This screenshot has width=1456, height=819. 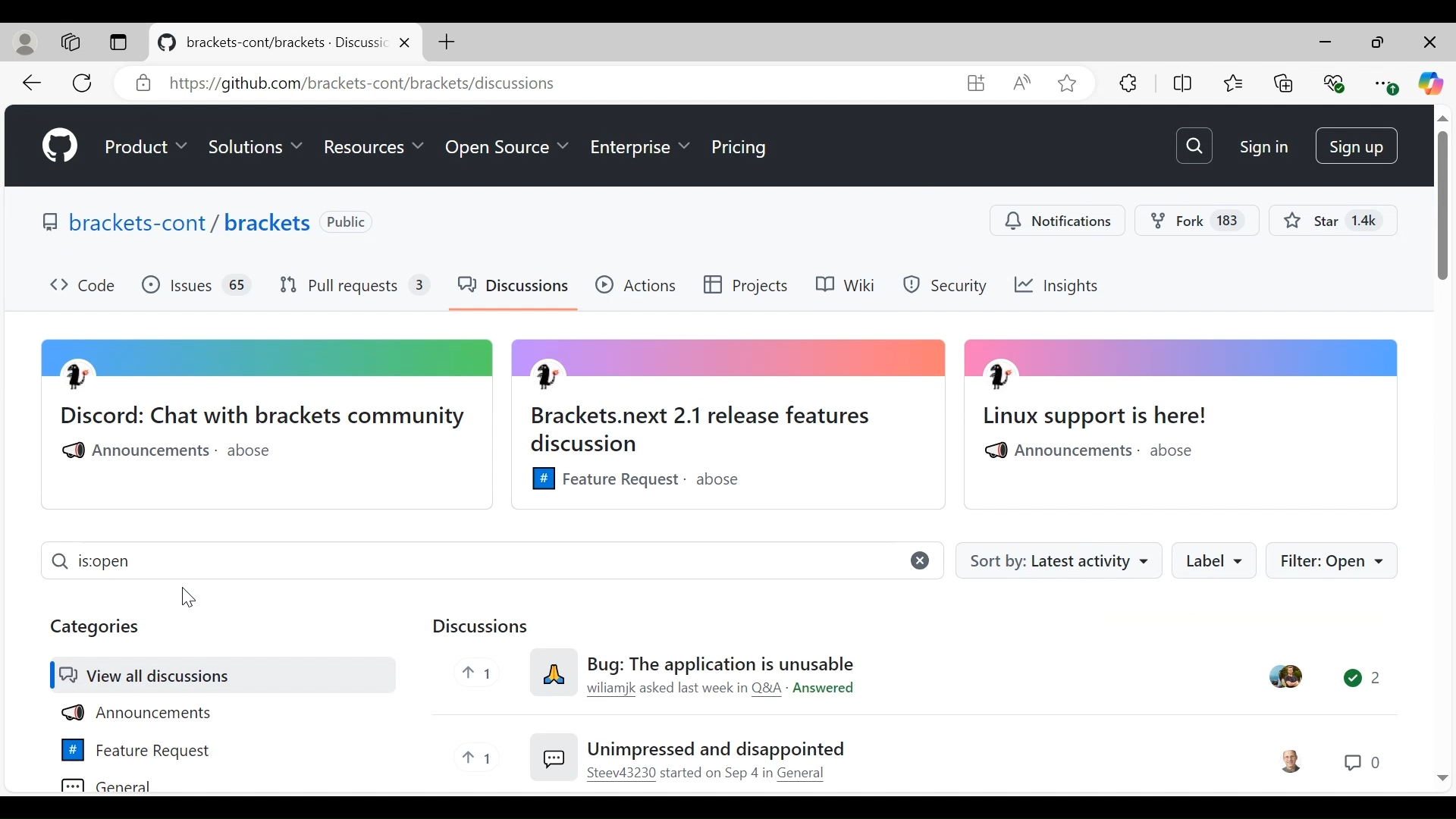 What do you see at coordinates (366, 84) in the screenshot?
I see `&)  https:/github.com/brackets-cont/brackets/discussions` at bounding box center [366, 84].